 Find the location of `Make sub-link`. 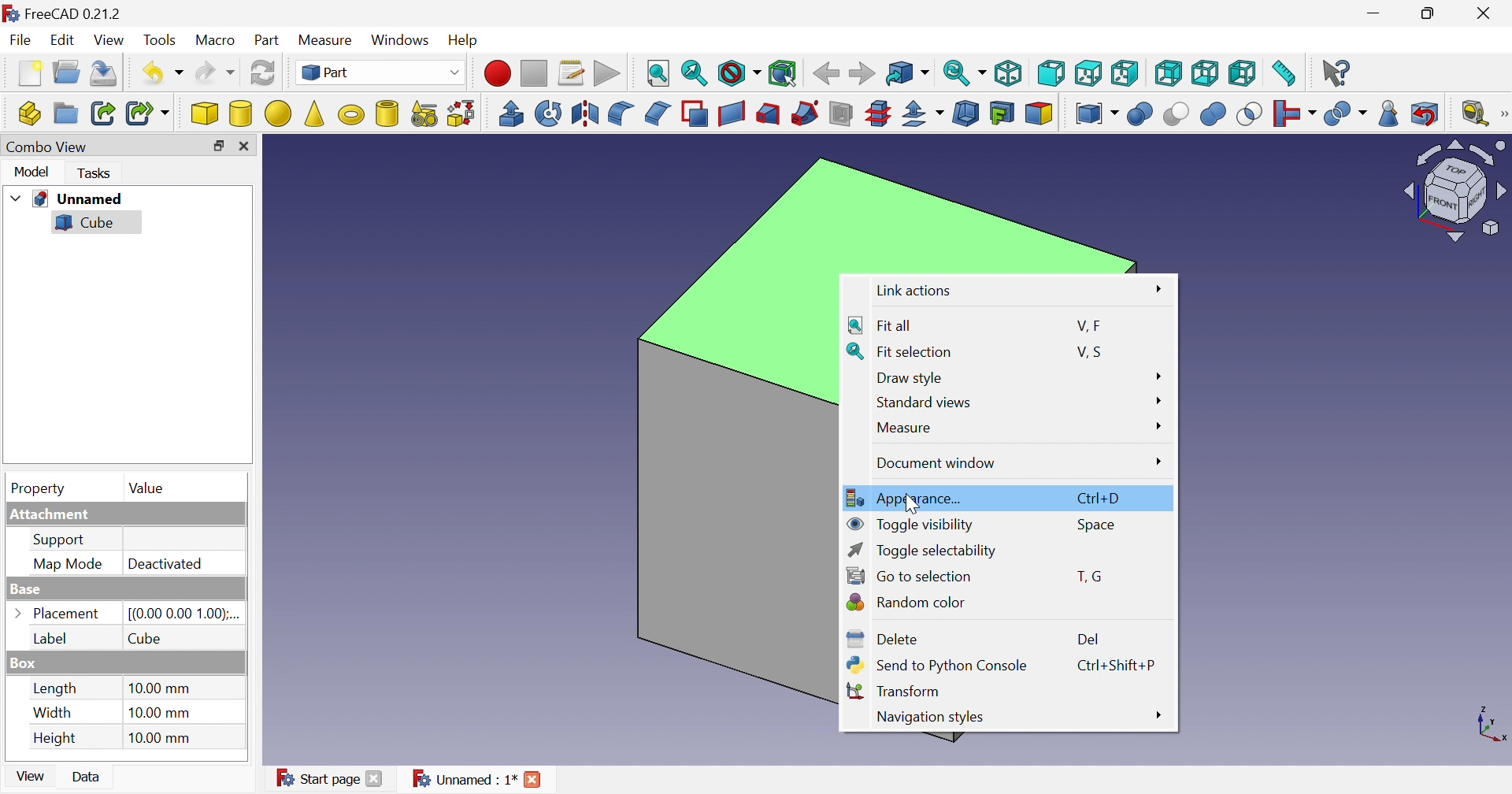

Make sub-link is located at coordinates (150, 113).